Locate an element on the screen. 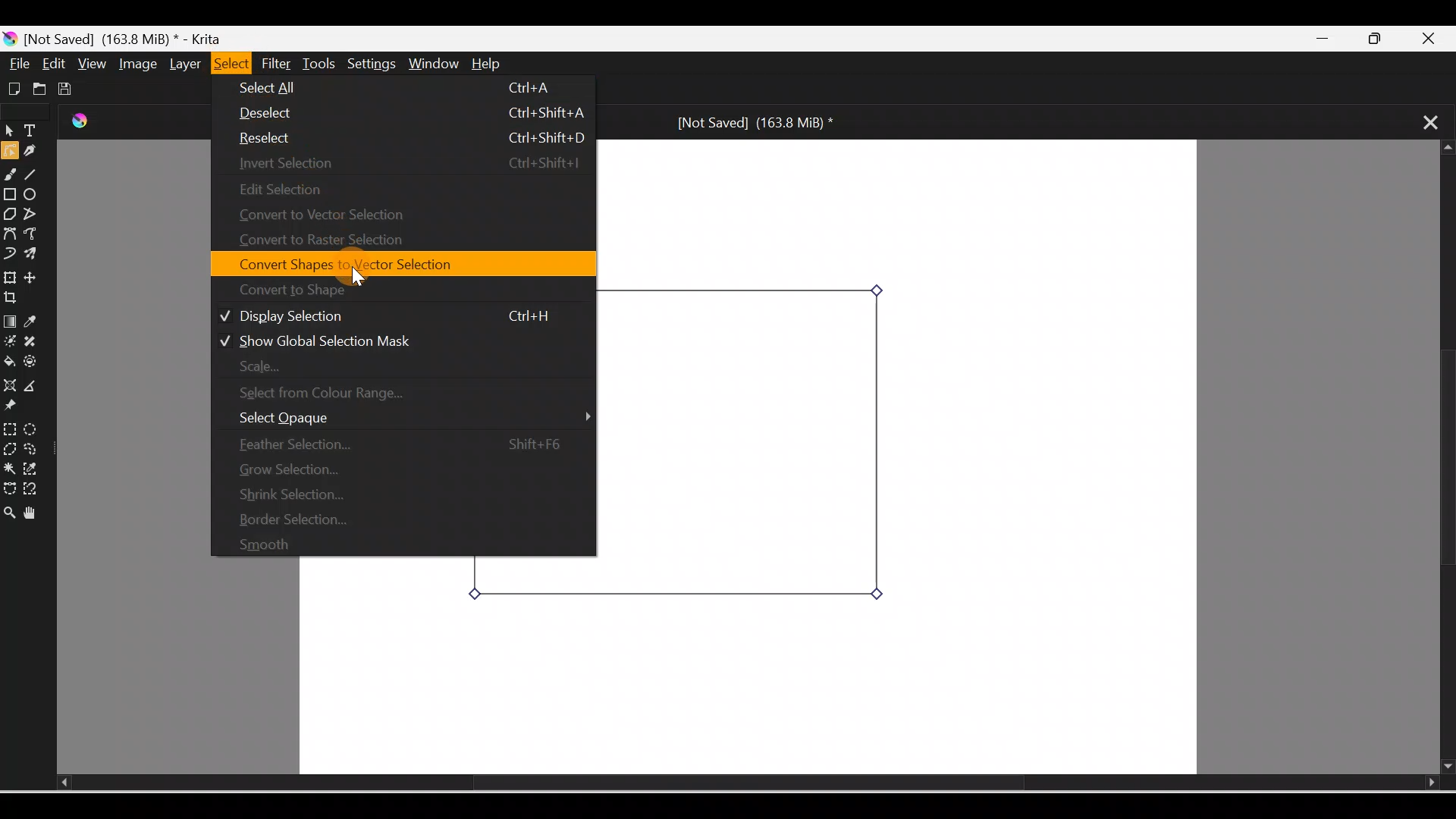  Magnetic curve selection tool is located at coordinates (35, 490).